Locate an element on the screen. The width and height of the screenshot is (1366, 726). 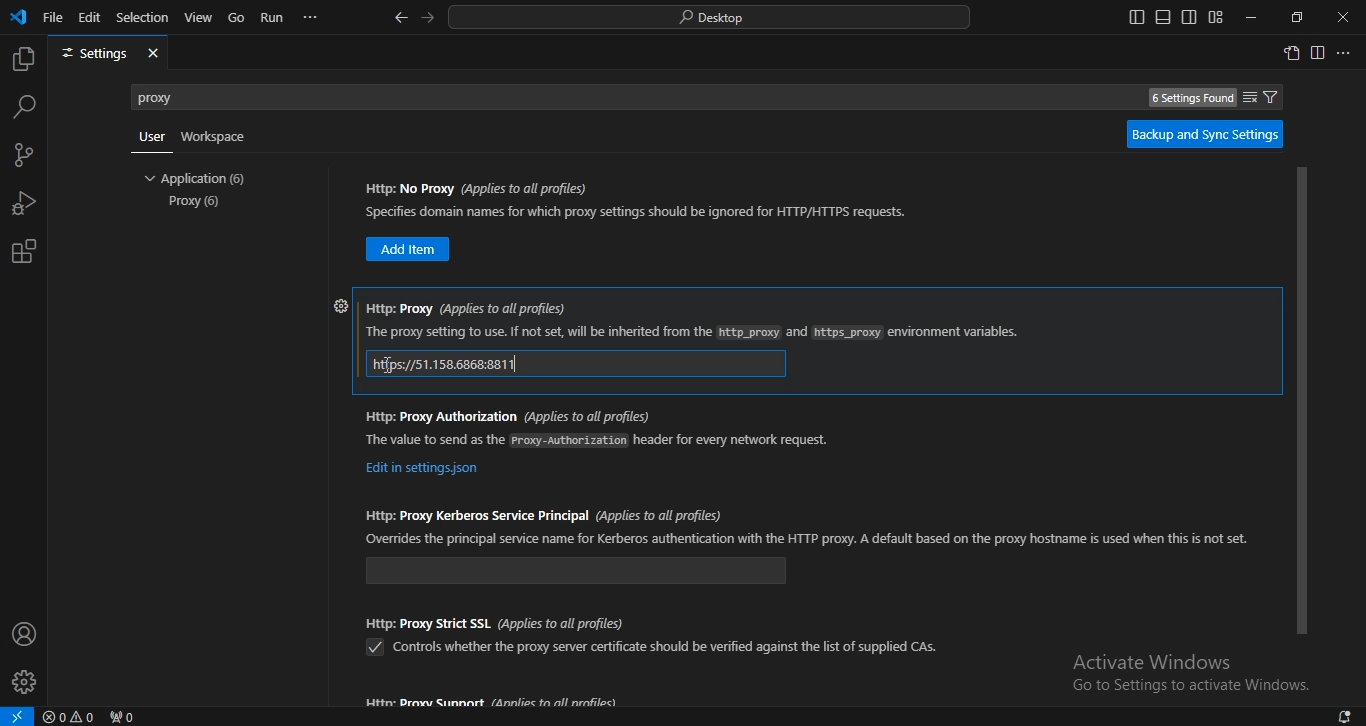
texthttps: proxy strict SSL is located at coordinates (667, 647).